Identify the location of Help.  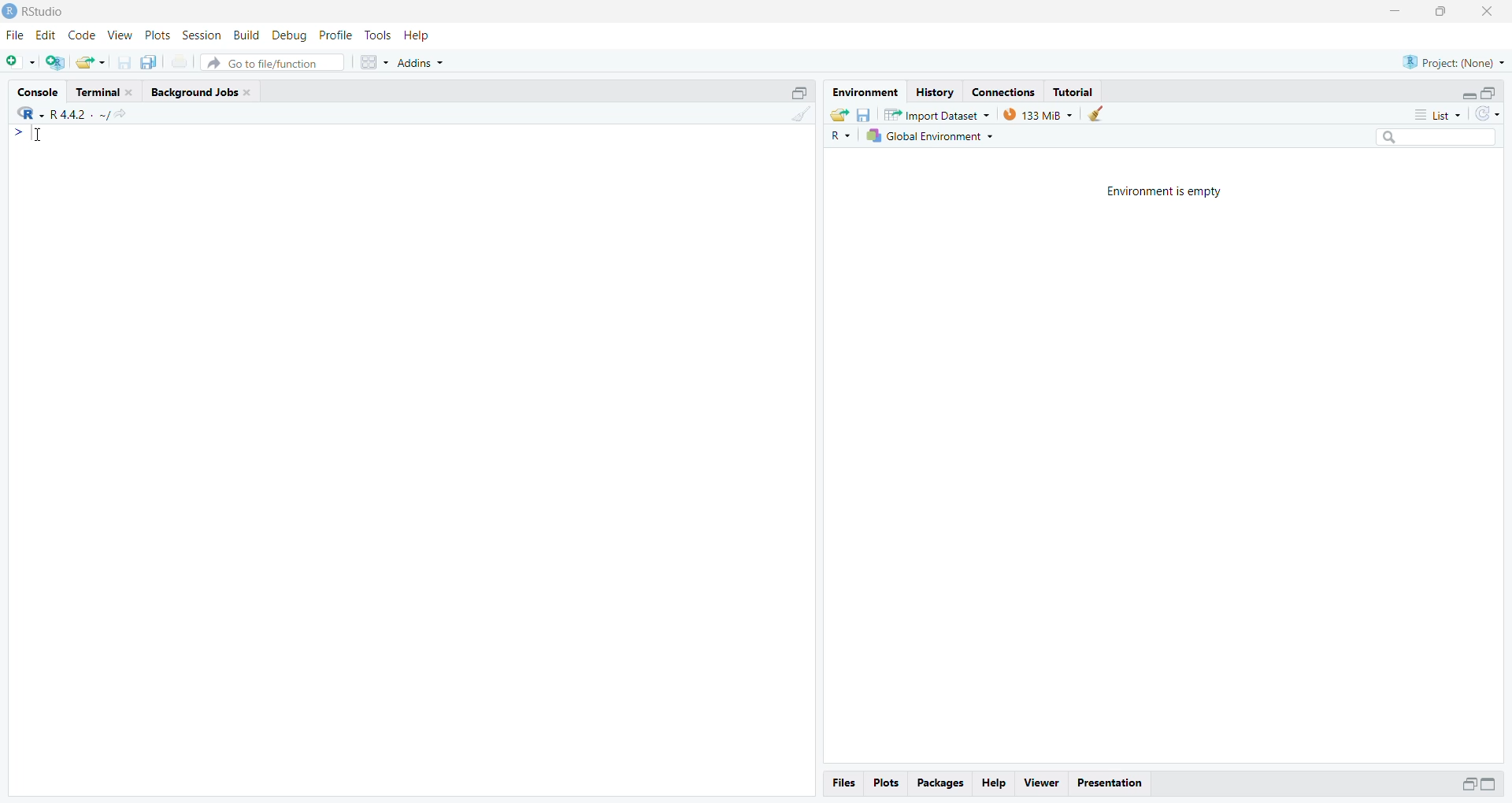
(417, 35).